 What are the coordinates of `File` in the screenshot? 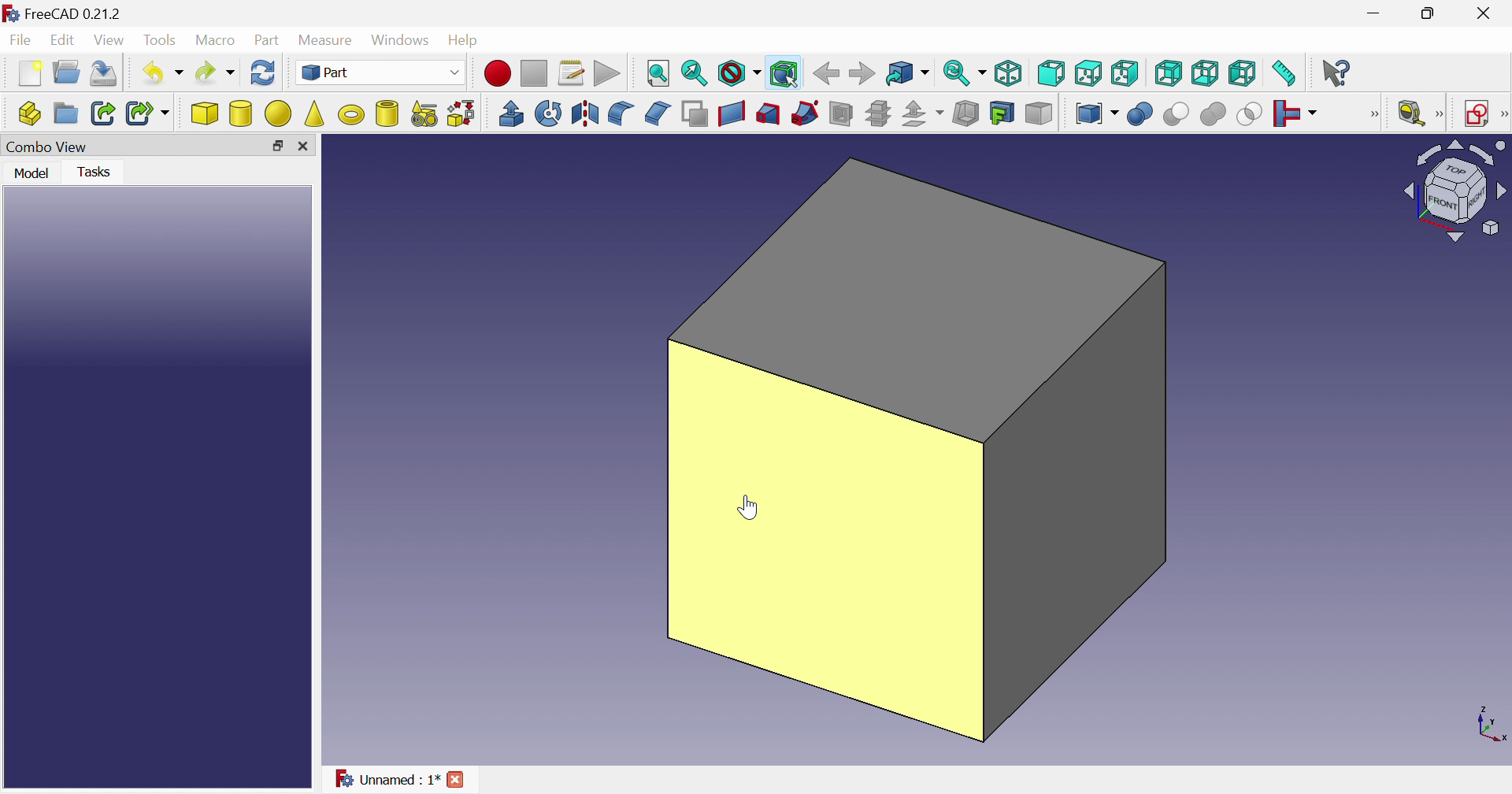 It's located at (21, 42).